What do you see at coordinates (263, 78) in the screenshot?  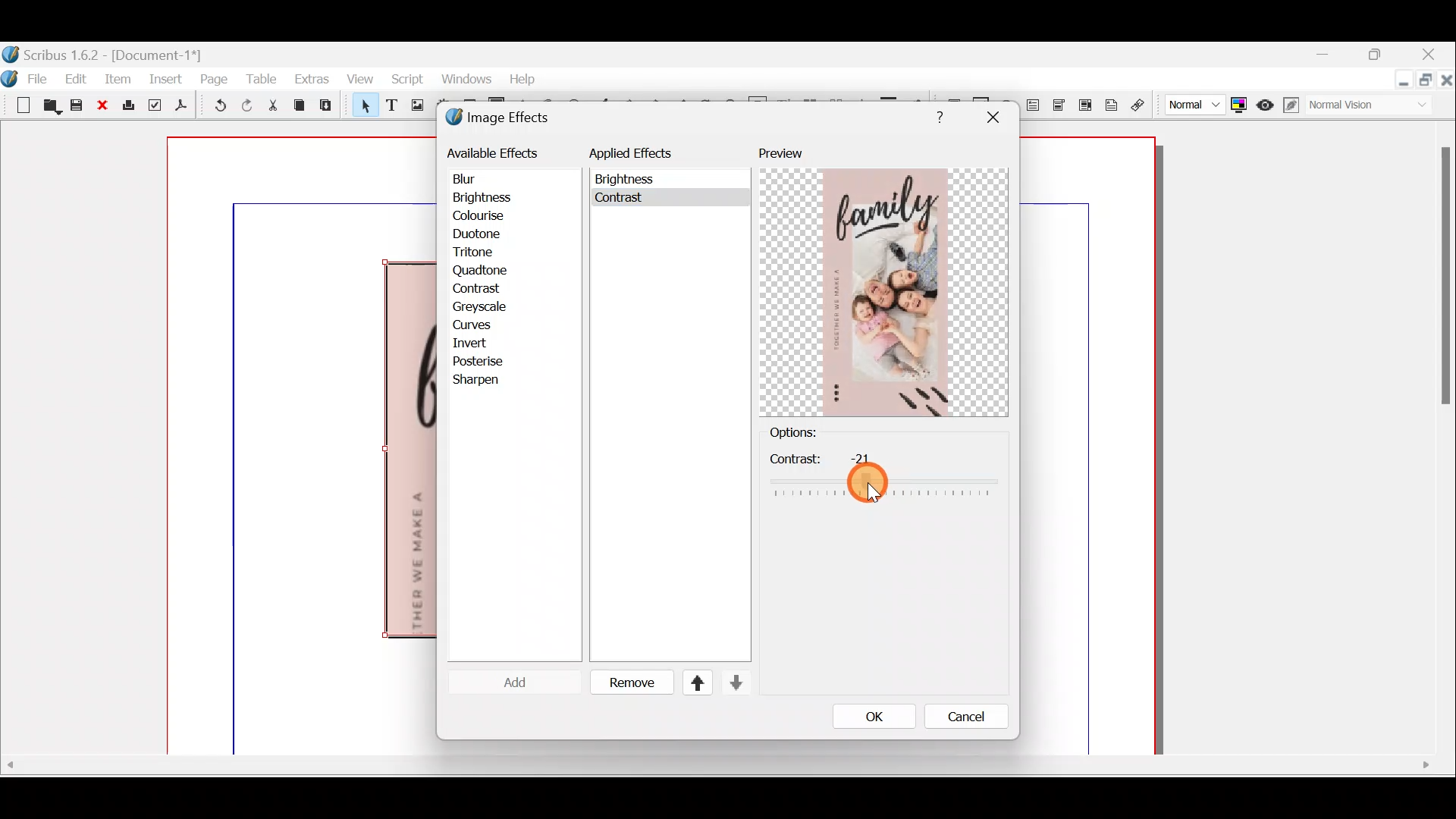 I see `Table` at bounding box center [263, 78].